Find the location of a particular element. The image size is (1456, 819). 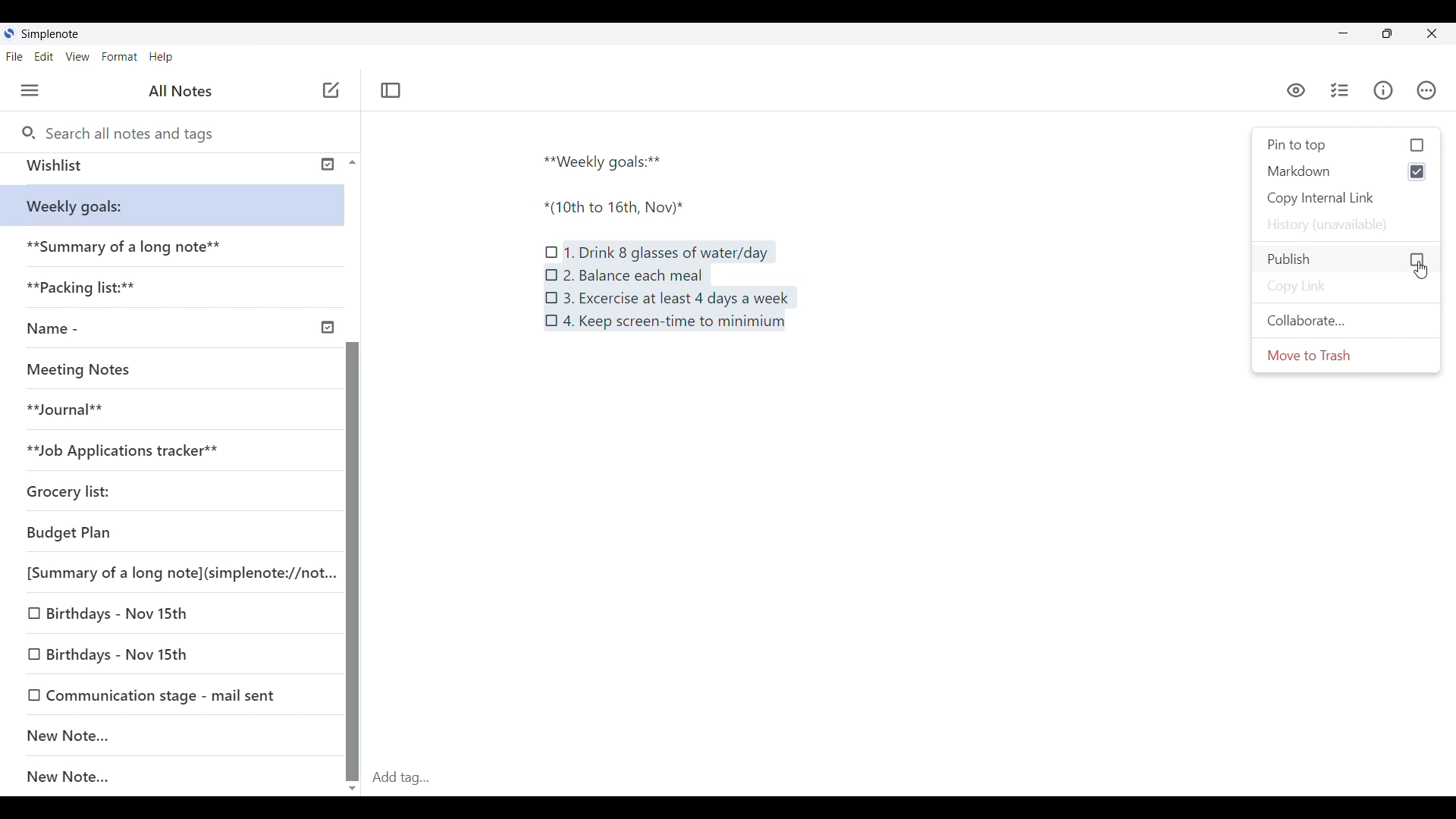

Name is located at coordinates (177, 329).